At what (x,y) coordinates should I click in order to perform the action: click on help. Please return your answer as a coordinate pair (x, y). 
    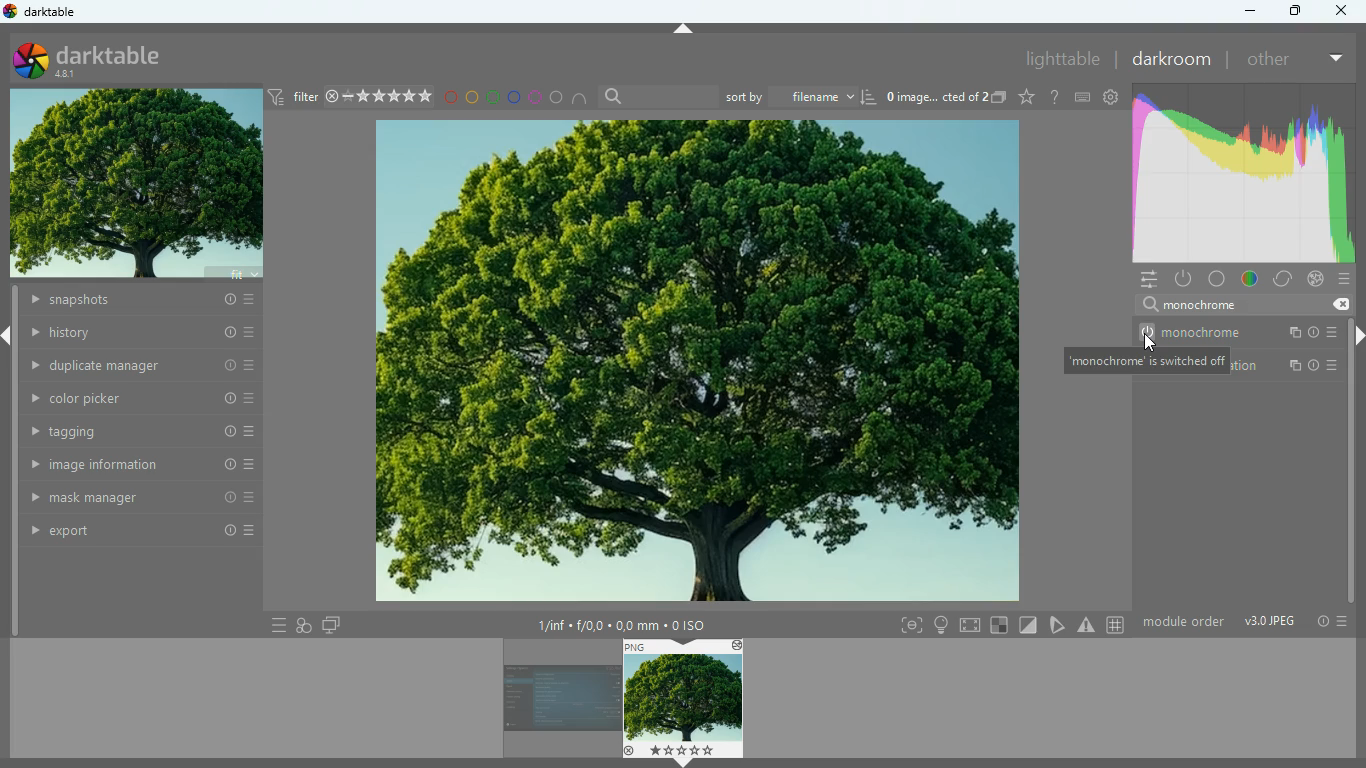
    Looking at the image, I should click on (1055, 97).